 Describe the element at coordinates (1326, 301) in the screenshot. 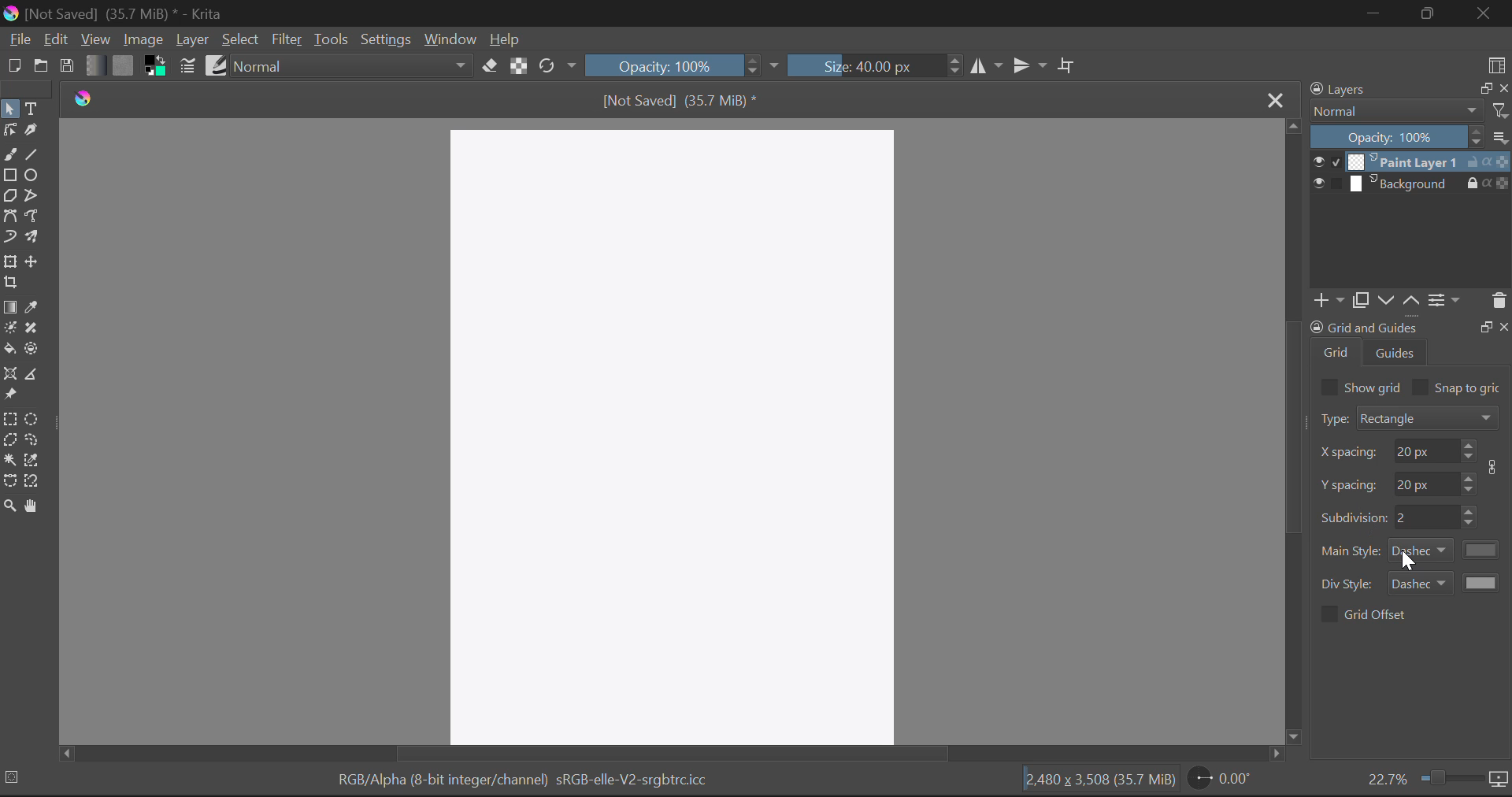

I see `add` at that location.